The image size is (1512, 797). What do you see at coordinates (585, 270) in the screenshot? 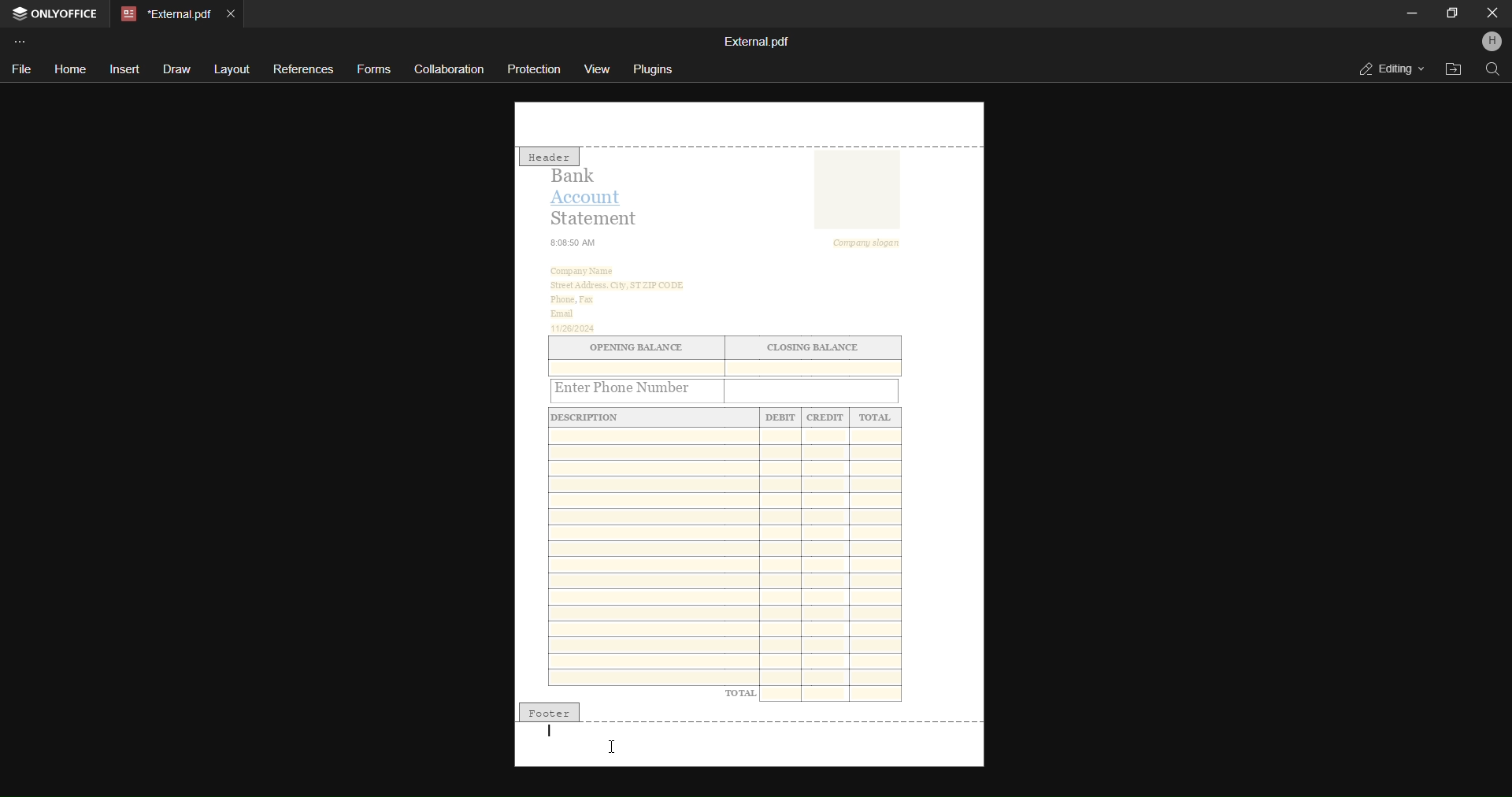
I see `‘Company Name` at bounding box center [585, 270].